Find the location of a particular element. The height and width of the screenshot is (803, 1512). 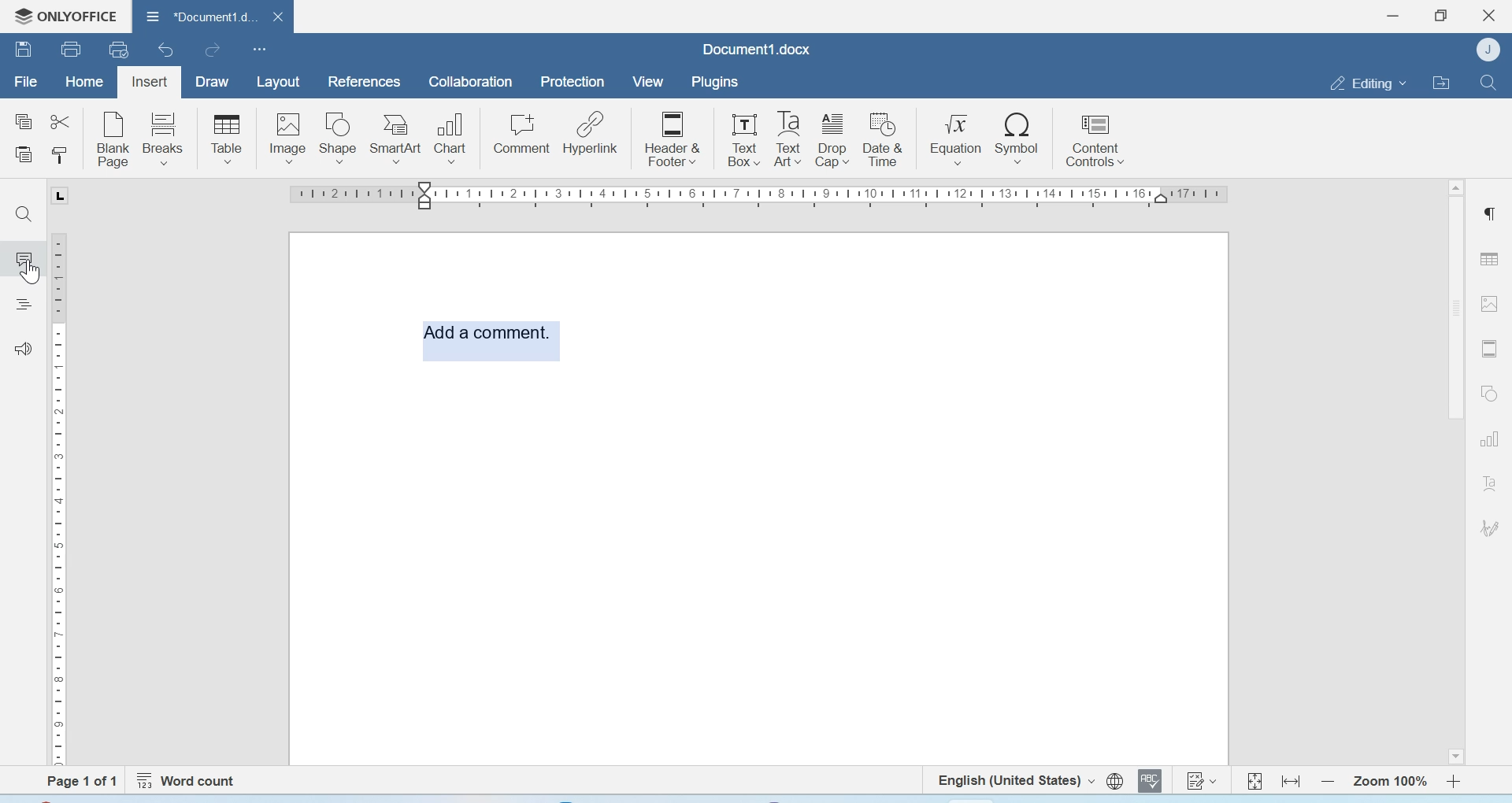

Onlyoffice is located at coordinates (61, 17).